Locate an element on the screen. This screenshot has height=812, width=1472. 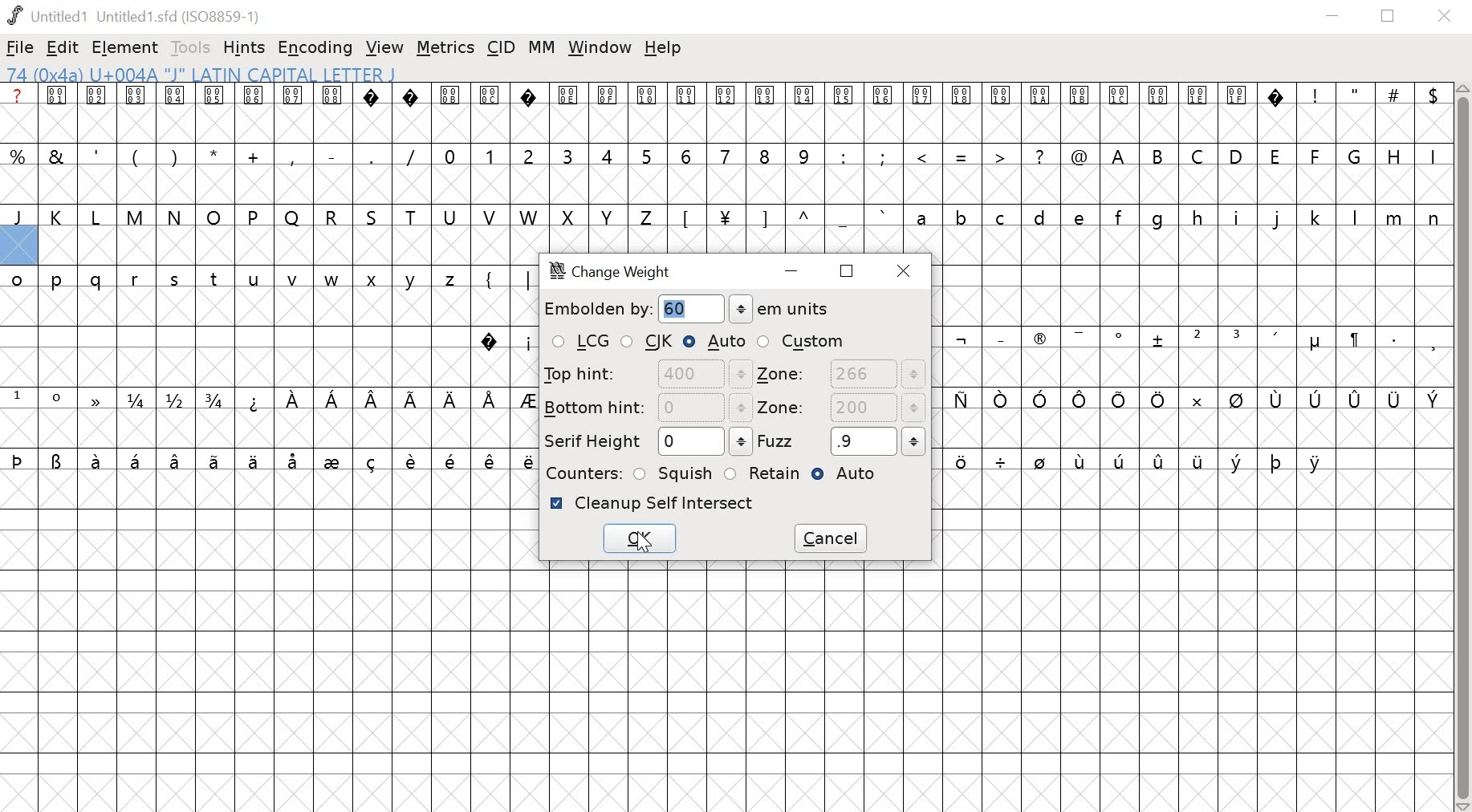
restore down is located at coordinates (1389, 16).